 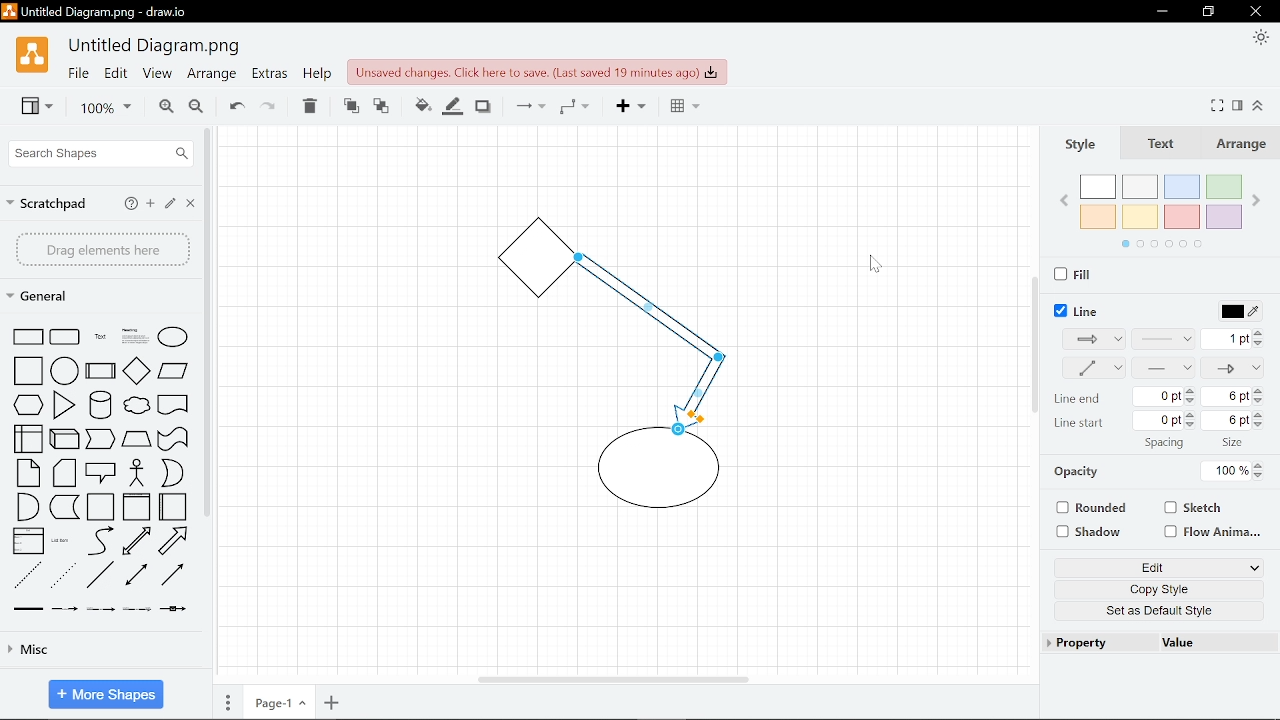 I want to click on 0 pt, so click(x=1158, y=420).